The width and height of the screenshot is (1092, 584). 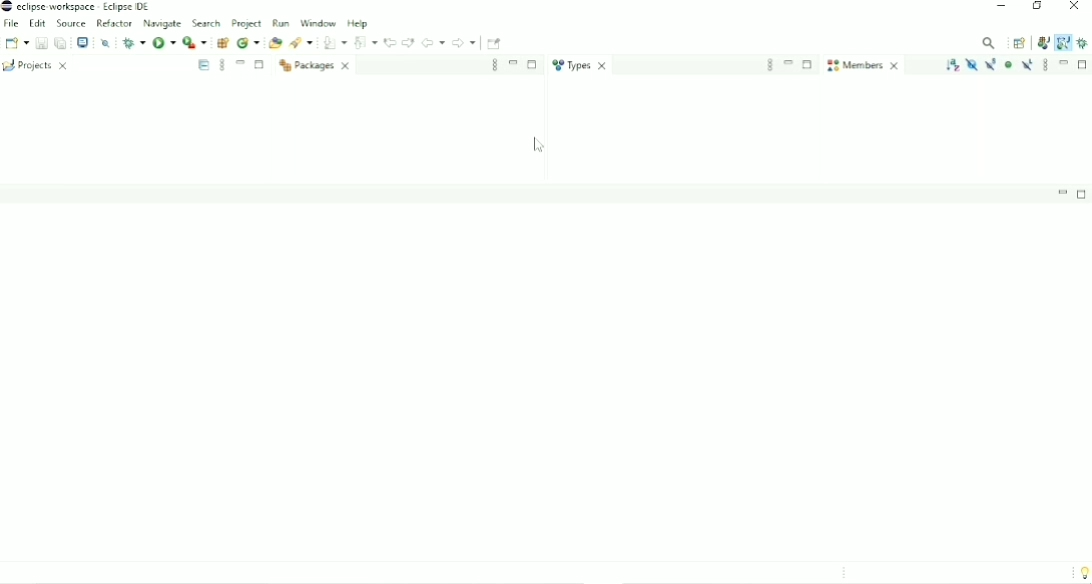 What do you see at coordinates (133, 42) in the screenshot?
I see `Debug` at bounding box center [133, 42].